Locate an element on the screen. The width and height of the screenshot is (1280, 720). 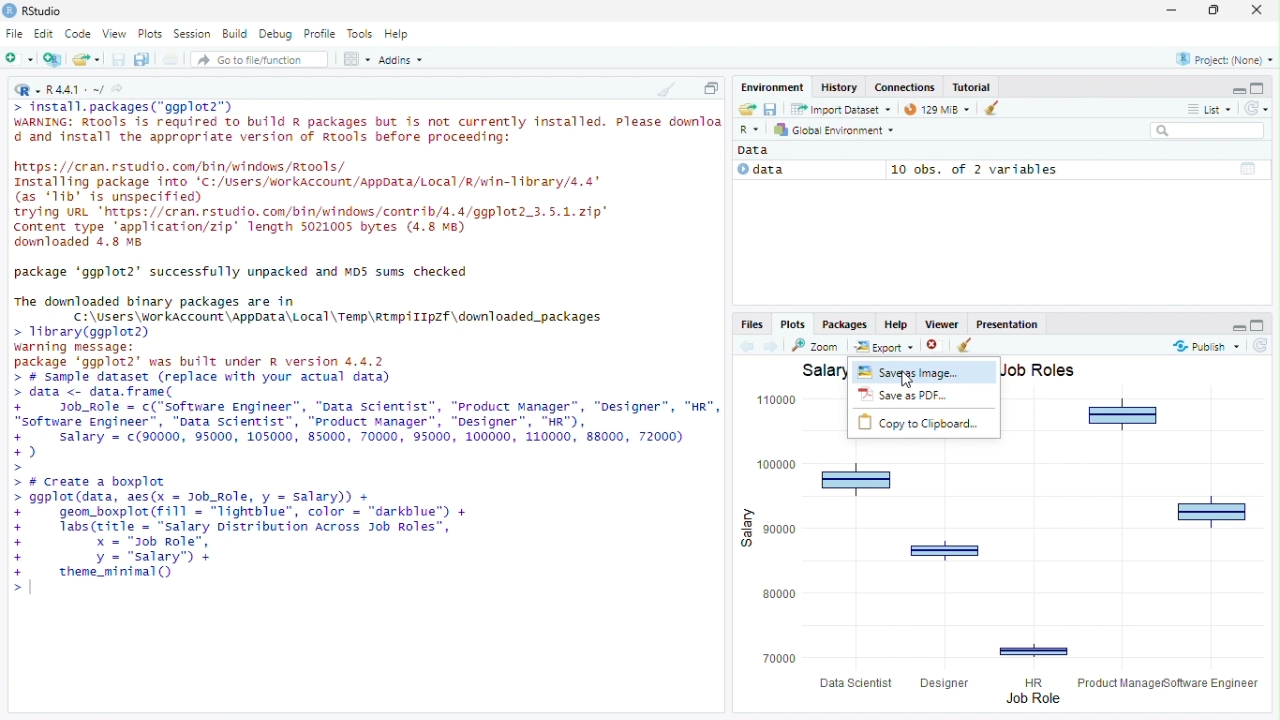
next topic is located at coordinates (772, 346).